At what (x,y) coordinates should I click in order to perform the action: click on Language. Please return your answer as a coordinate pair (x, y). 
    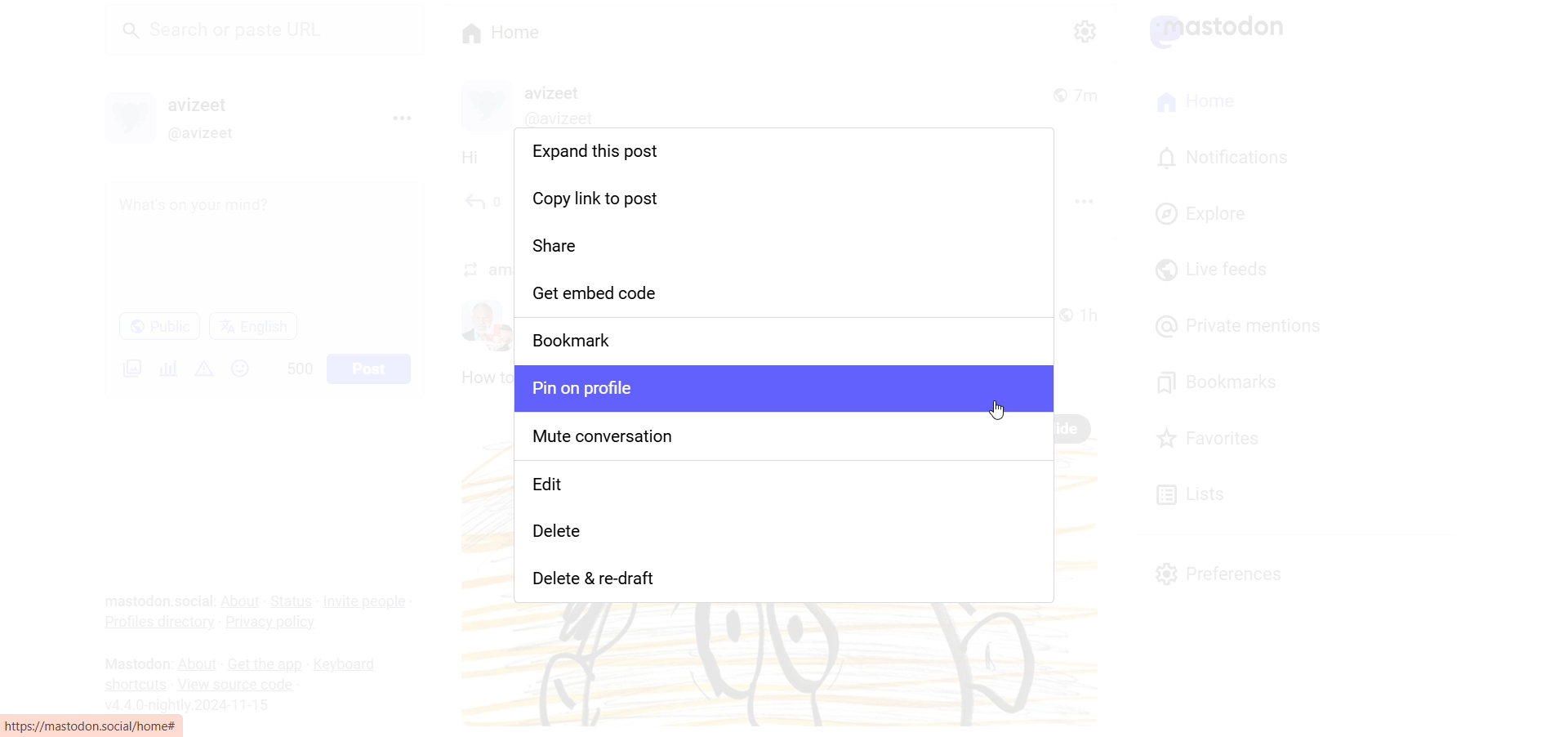
    Looking at the image, I should click on (253, 325).